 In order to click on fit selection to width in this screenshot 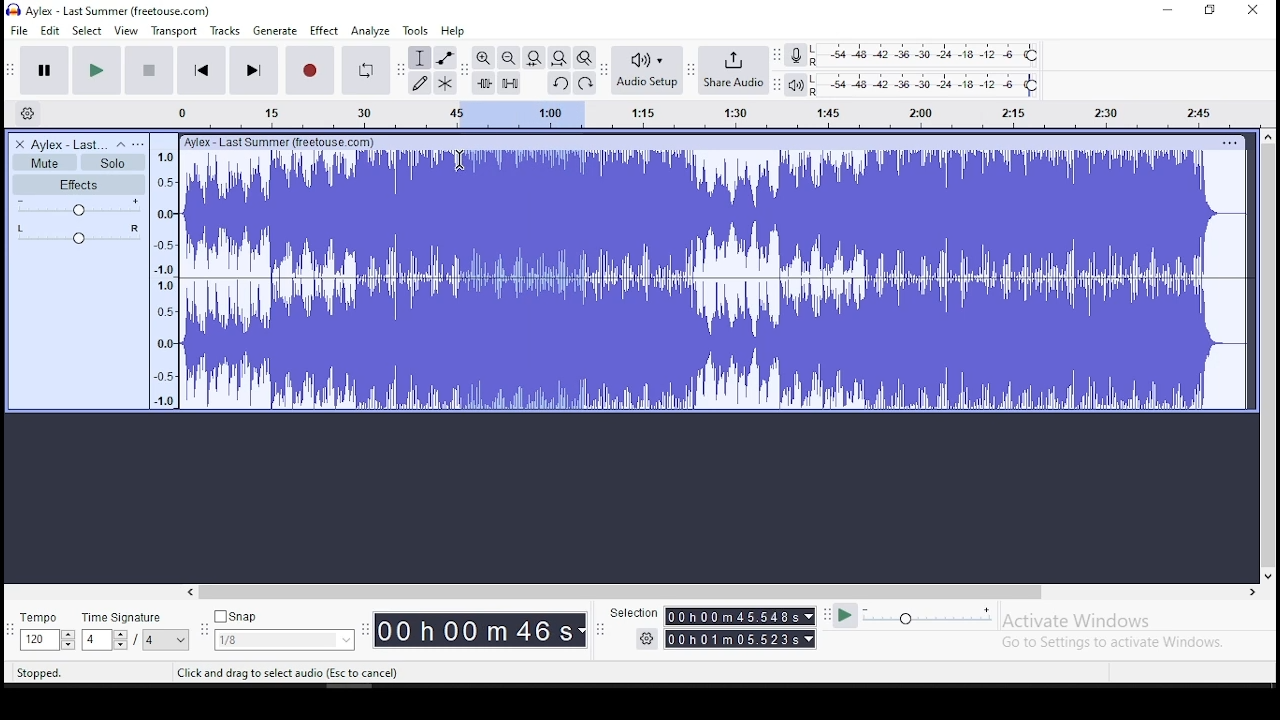, I will do `click(533, 58)`.